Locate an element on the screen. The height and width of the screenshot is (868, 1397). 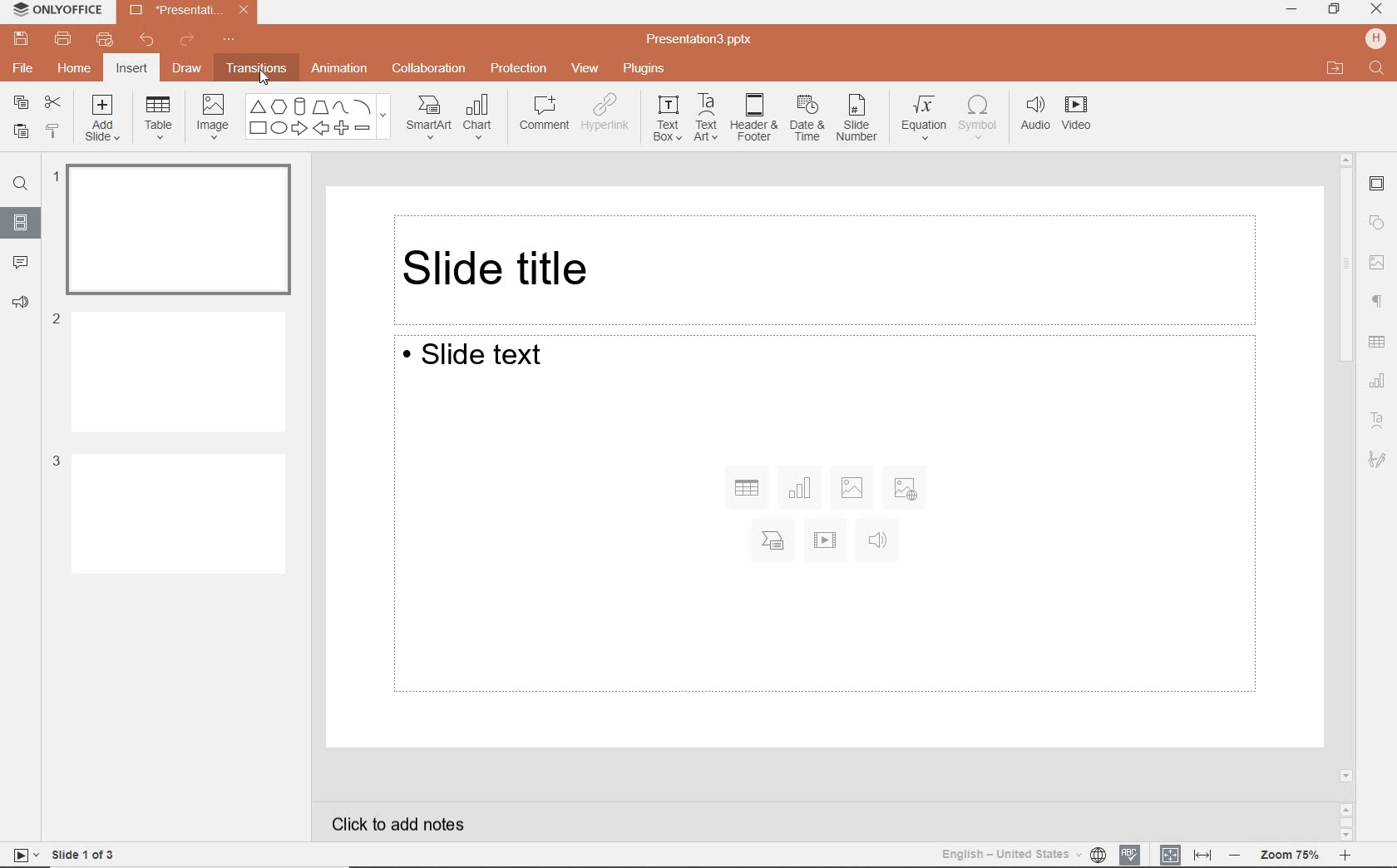
TEXT ART is located at coordinates (707, 118).